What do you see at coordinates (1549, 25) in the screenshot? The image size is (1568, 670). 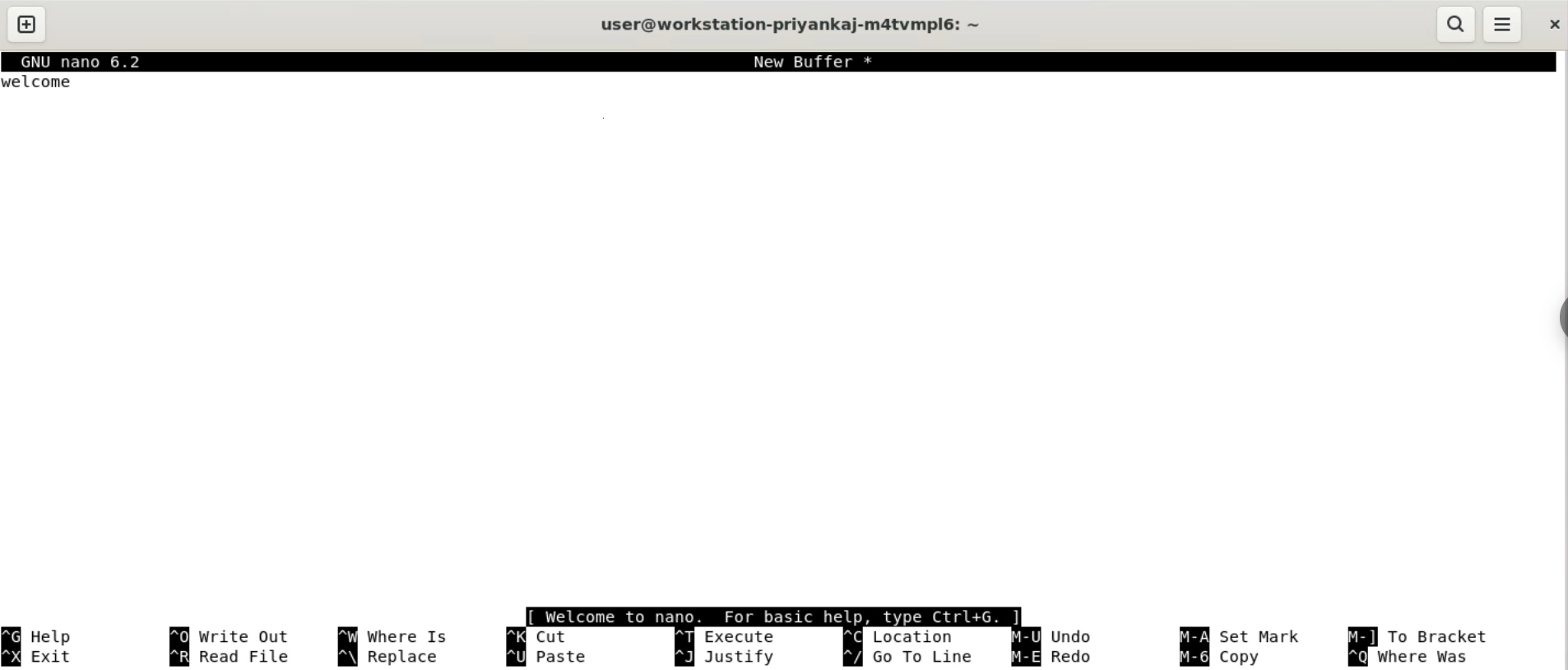 I see `close` at bounding box center [1549, 25].